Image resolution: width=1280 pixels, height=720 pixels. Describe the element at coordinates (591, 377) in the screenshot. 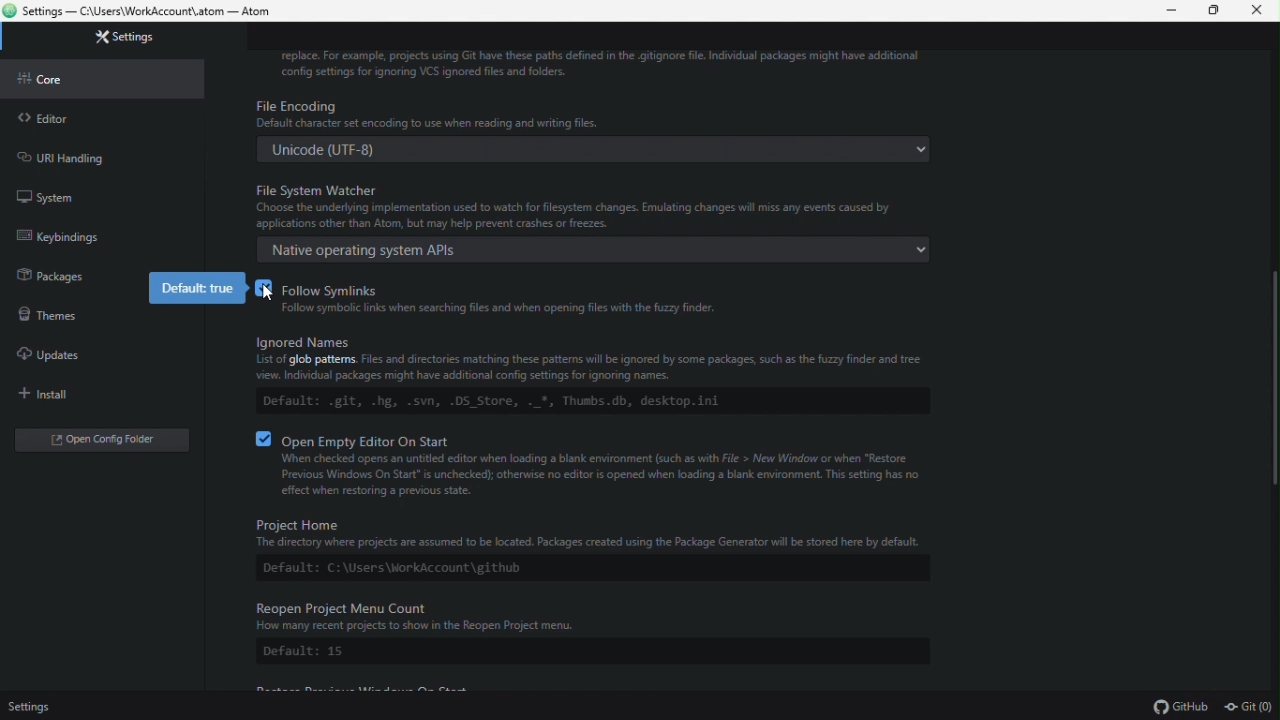

I see `ignored names` at that location.